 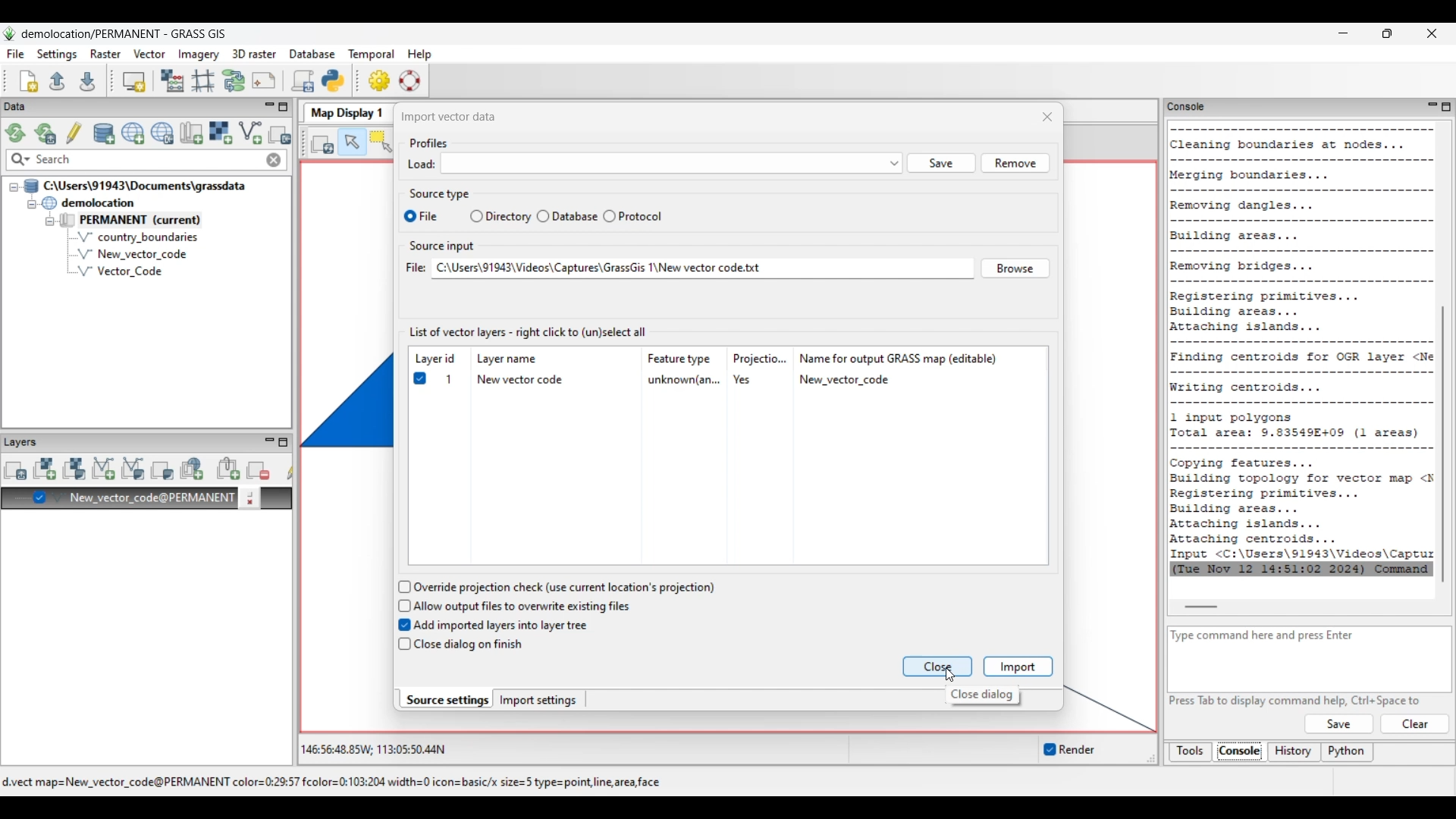 What do you see at coordinates (151, 221) in the screenshot?
I see `Double click to collapse Permanent` at bounding box center [151, 221].